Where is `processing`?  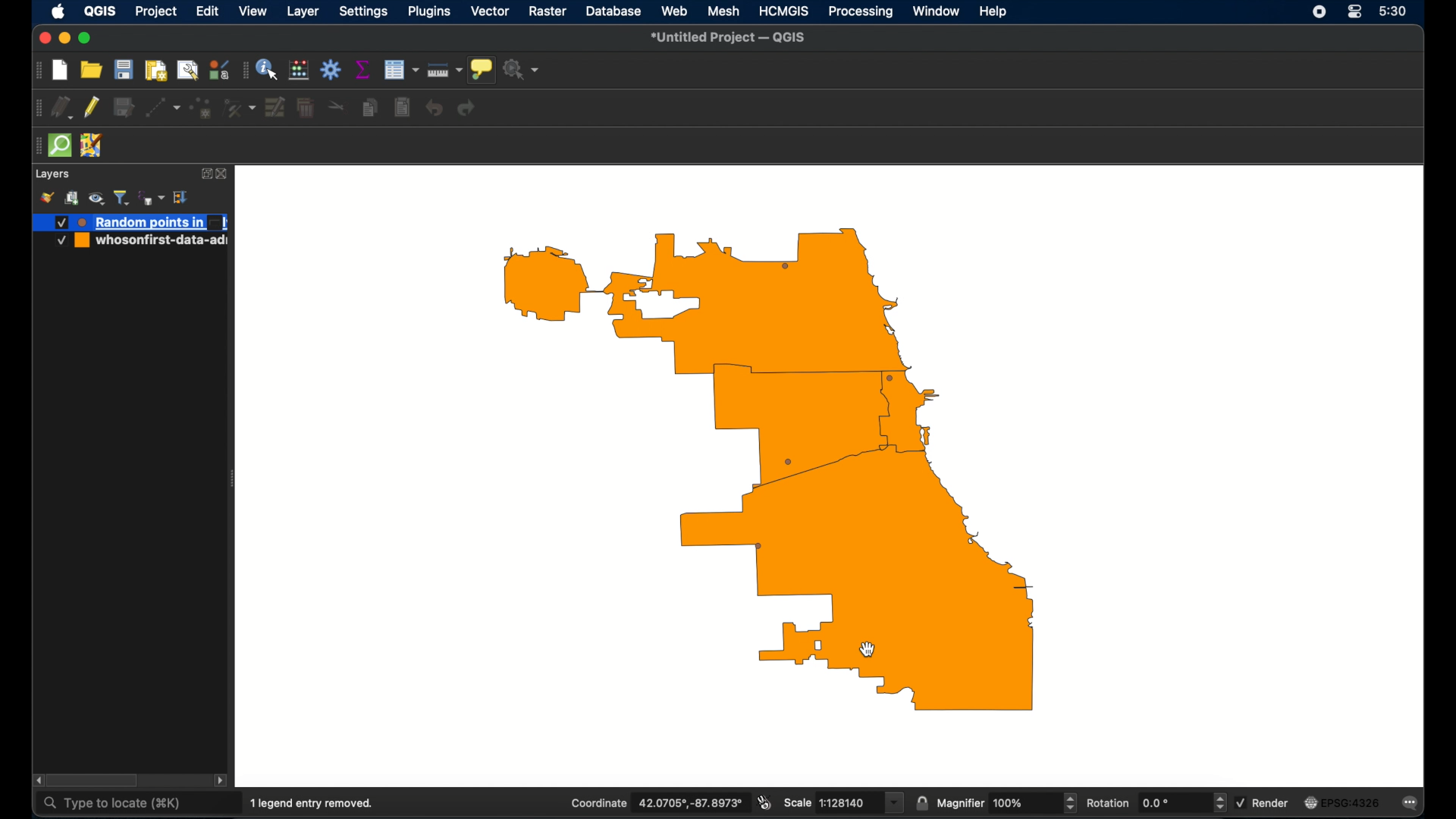
processing is located at coordinates (860, 11).